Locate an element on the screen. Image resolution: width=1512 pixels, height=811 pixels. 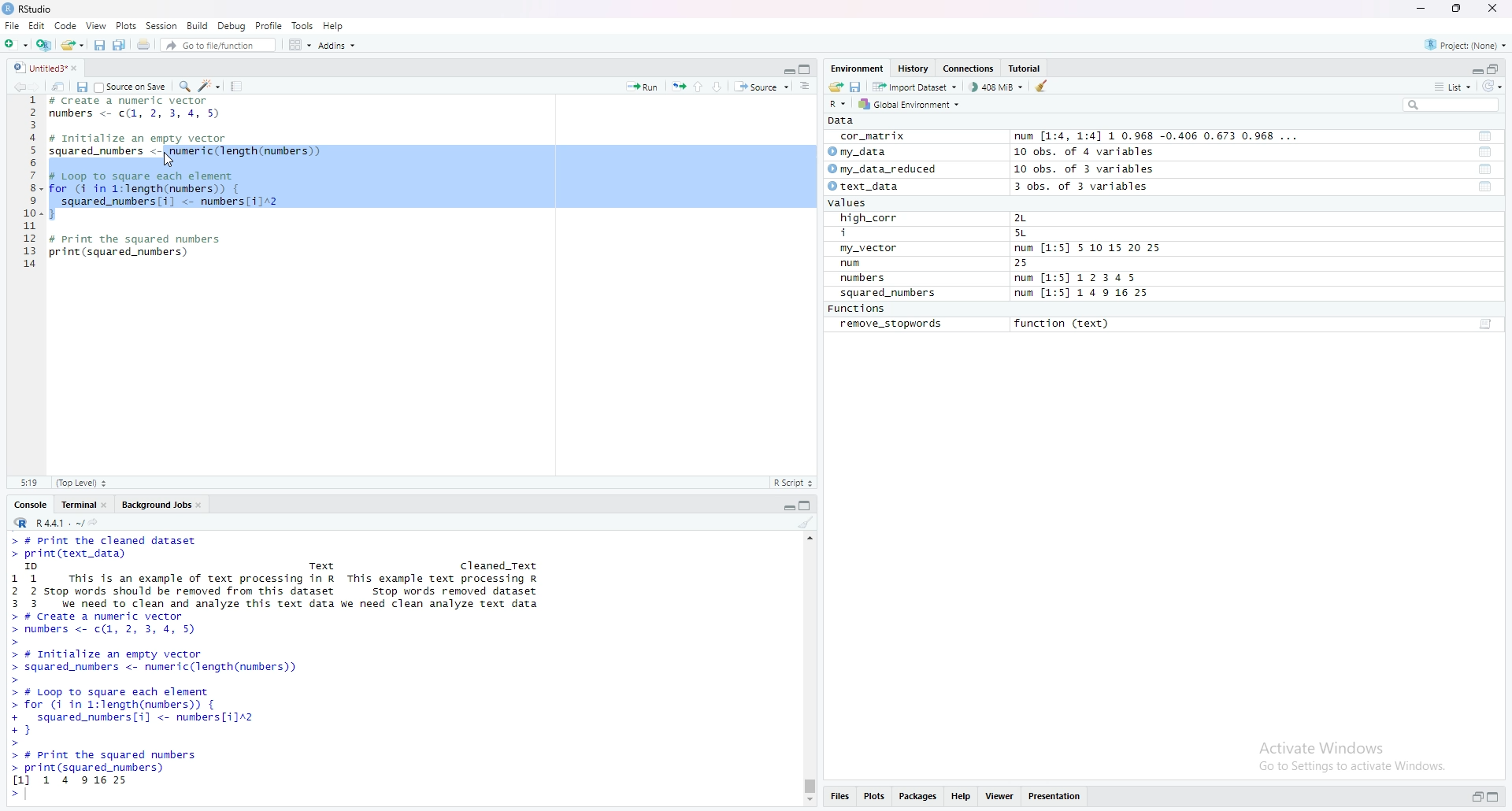
Workspace panes is located at coordinates (298, 44).